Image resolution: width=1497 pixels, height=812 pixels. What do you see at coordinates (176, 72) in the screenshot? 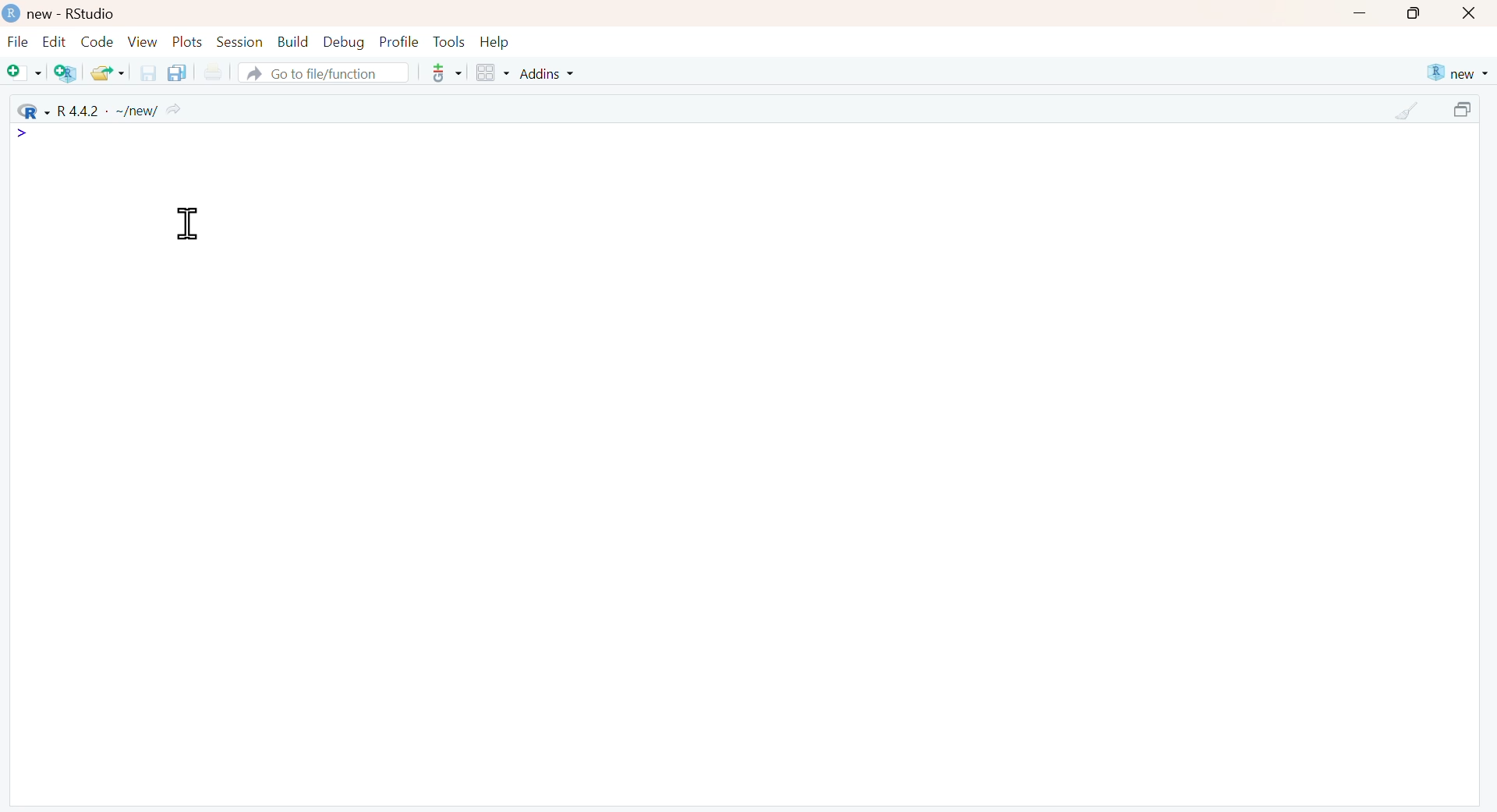
I see `Save all the open documents` at bounding box center [176, 72].